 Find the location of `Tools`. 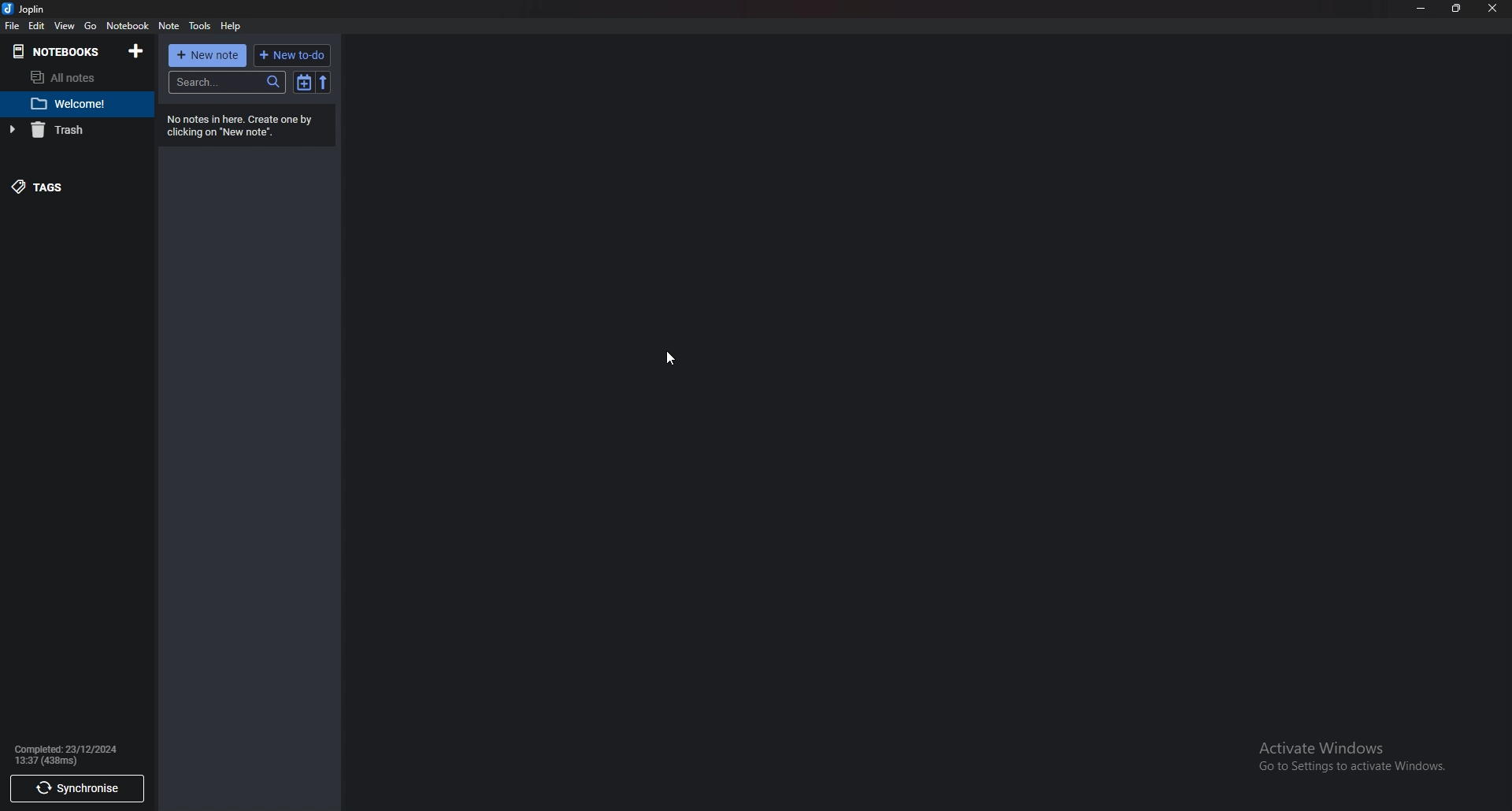

Tools is located at coordinates (201, 25).